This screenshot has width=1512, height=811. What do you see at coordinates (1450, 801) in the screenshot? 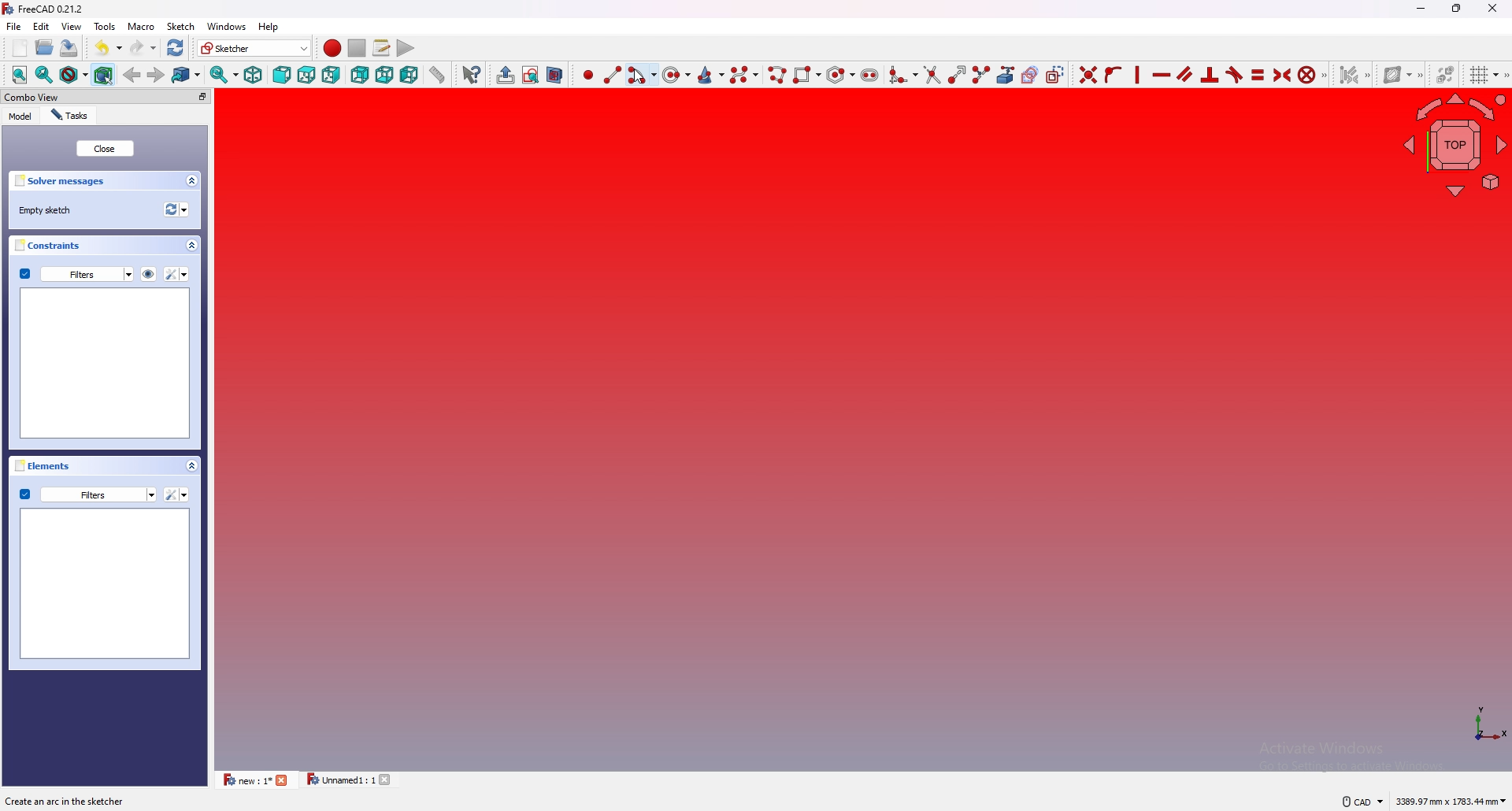
I see `3389.97 mm x 1783.44 mm` at bounding box center [1450, 801].